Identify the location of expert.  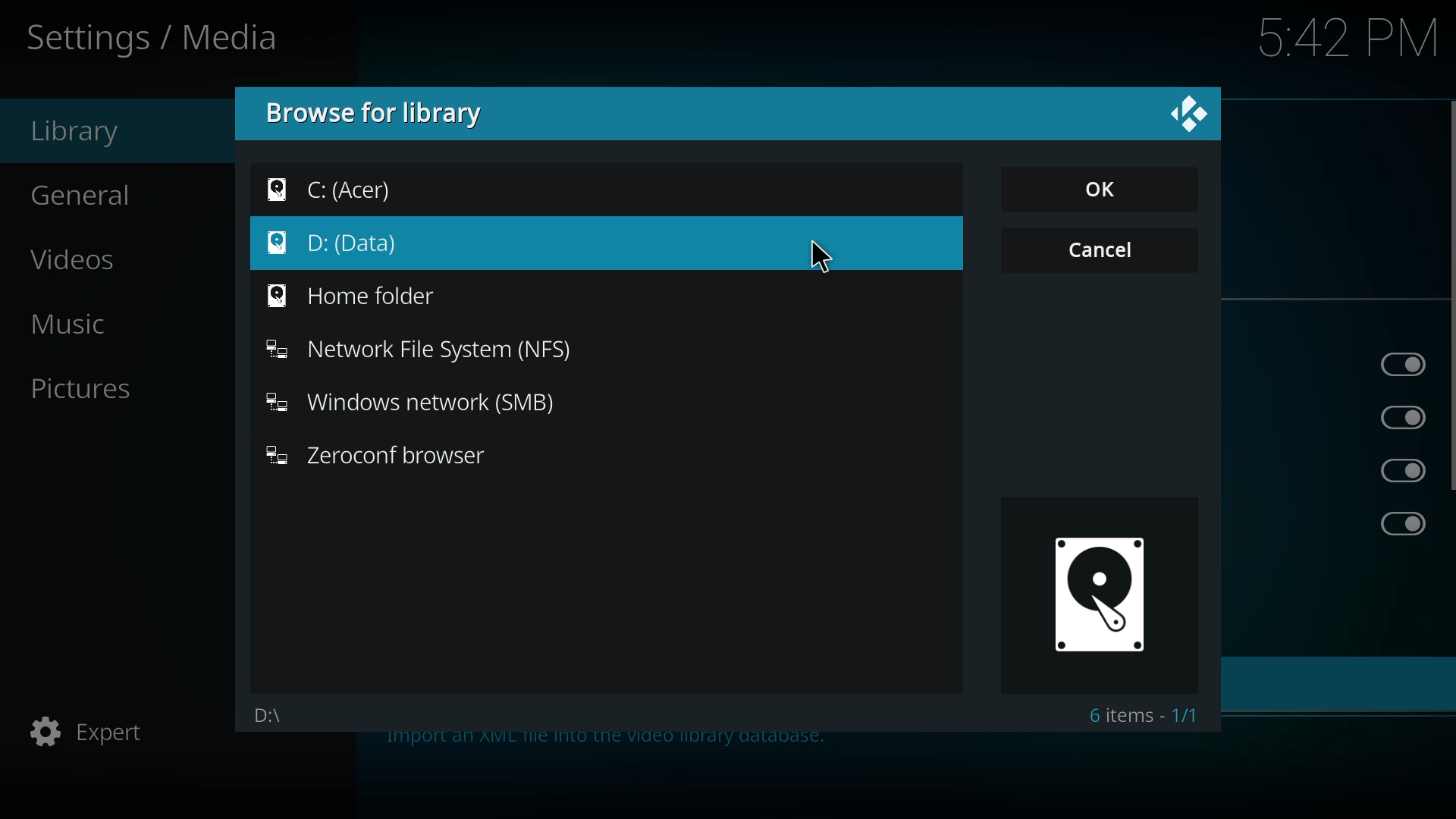
(92, 735).